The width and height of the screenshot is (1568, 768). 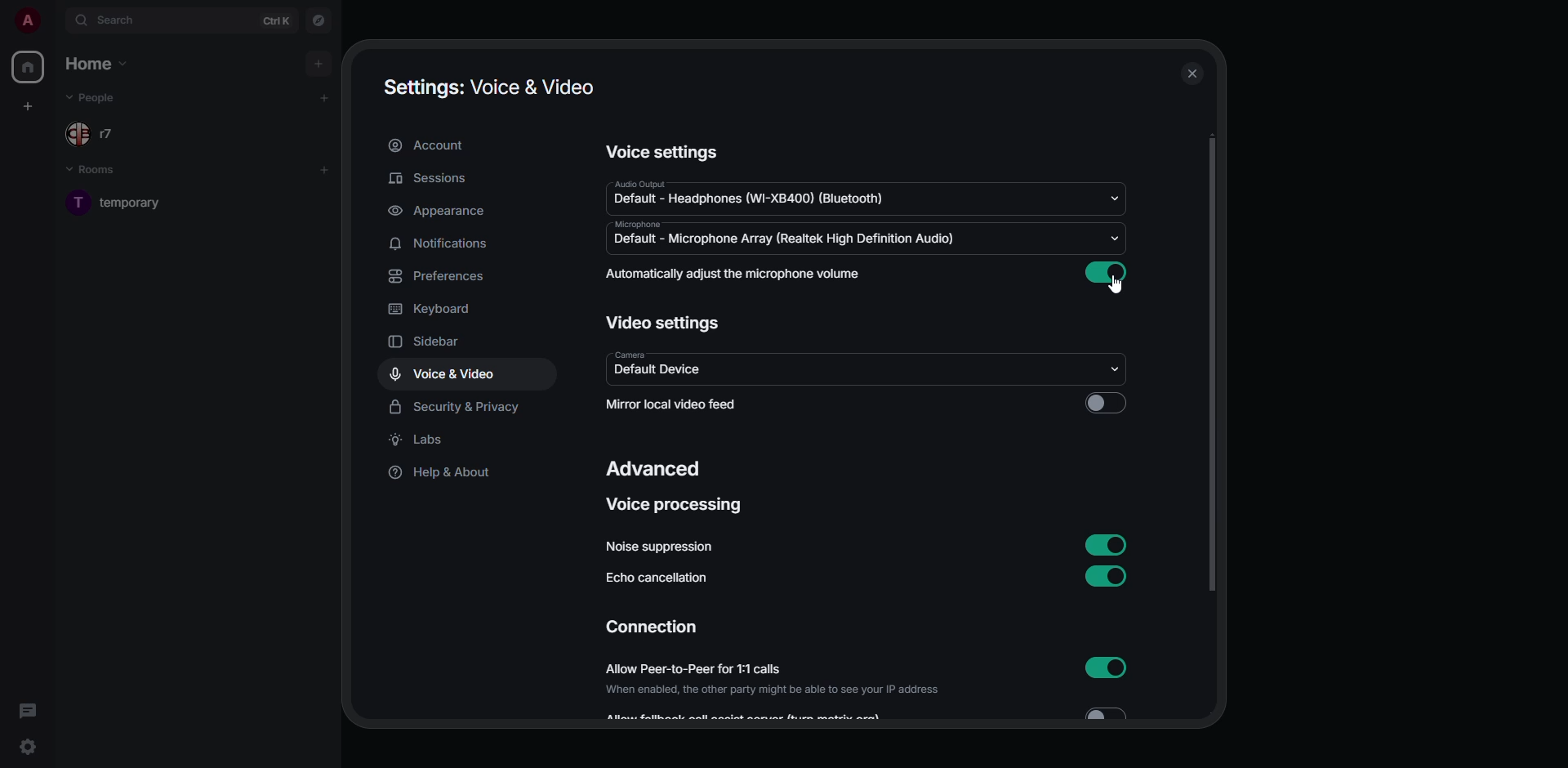 What do you see at coordinates (664, 151) in the screenshot?
I see `voice settings` at bounding box center [664, 151].